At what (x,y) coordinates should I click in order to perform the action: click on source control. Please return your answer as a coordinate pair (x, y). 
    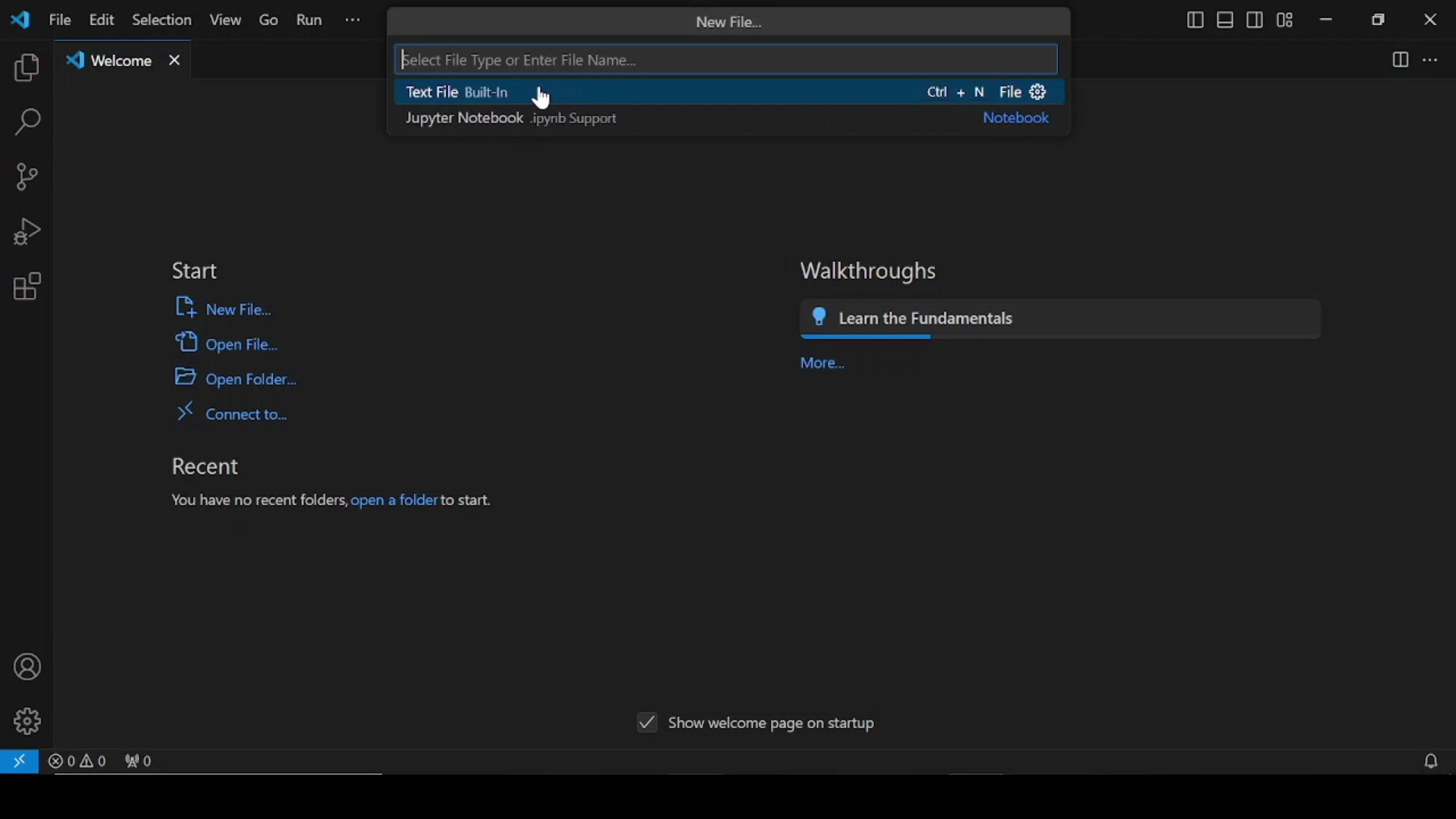
    Looking at the image, I should click on (27, 177).